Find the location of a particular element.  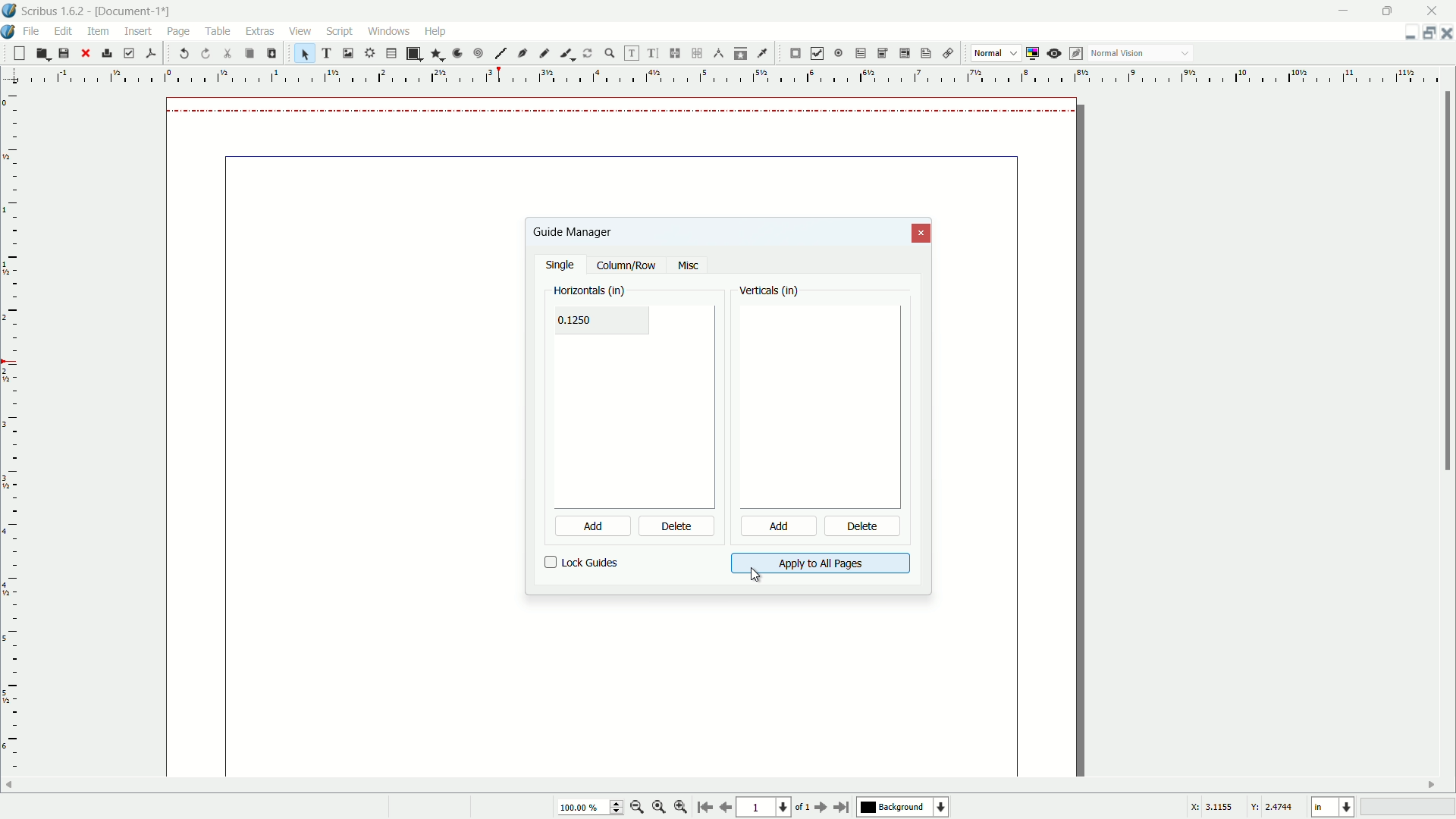

cursor is located at coordinates (178, 42).